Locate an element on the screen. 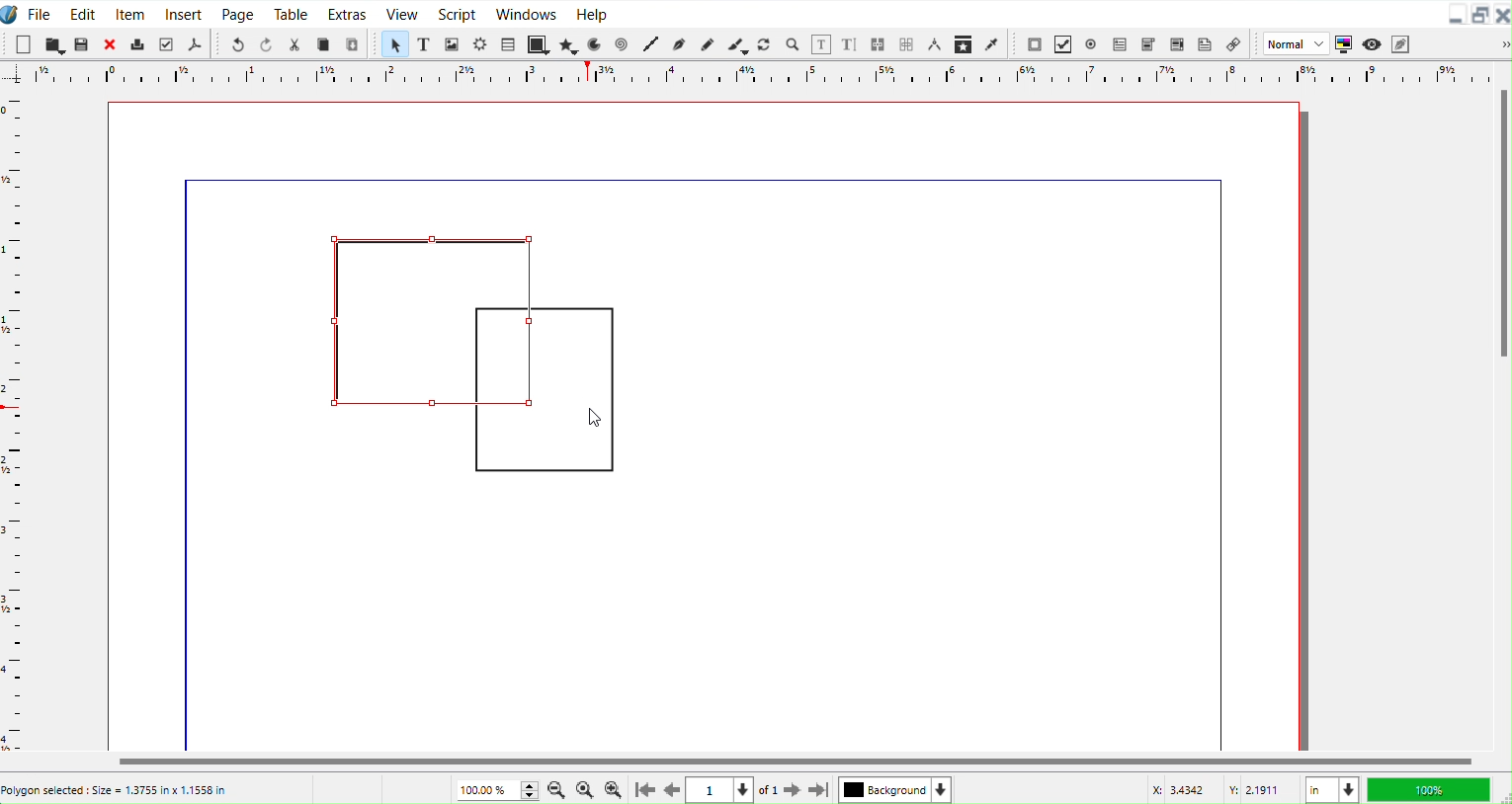  line is located at coordinates (704, 179).